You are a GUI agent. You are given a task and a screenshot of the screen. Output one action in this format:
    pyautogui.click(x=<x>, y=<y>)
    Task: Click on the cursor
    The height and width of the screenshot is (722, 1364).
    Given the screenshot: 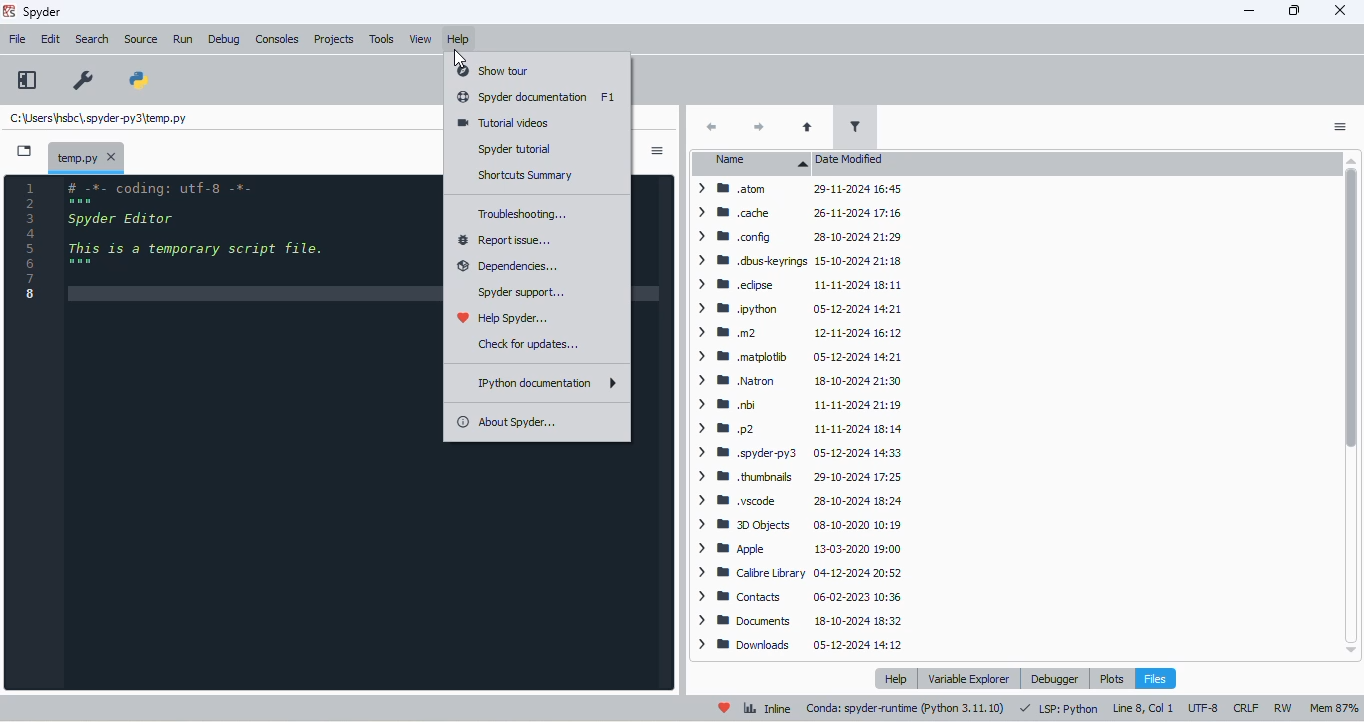 What is the action you would take?
    pyautogui.click(x=459, y=56)
    